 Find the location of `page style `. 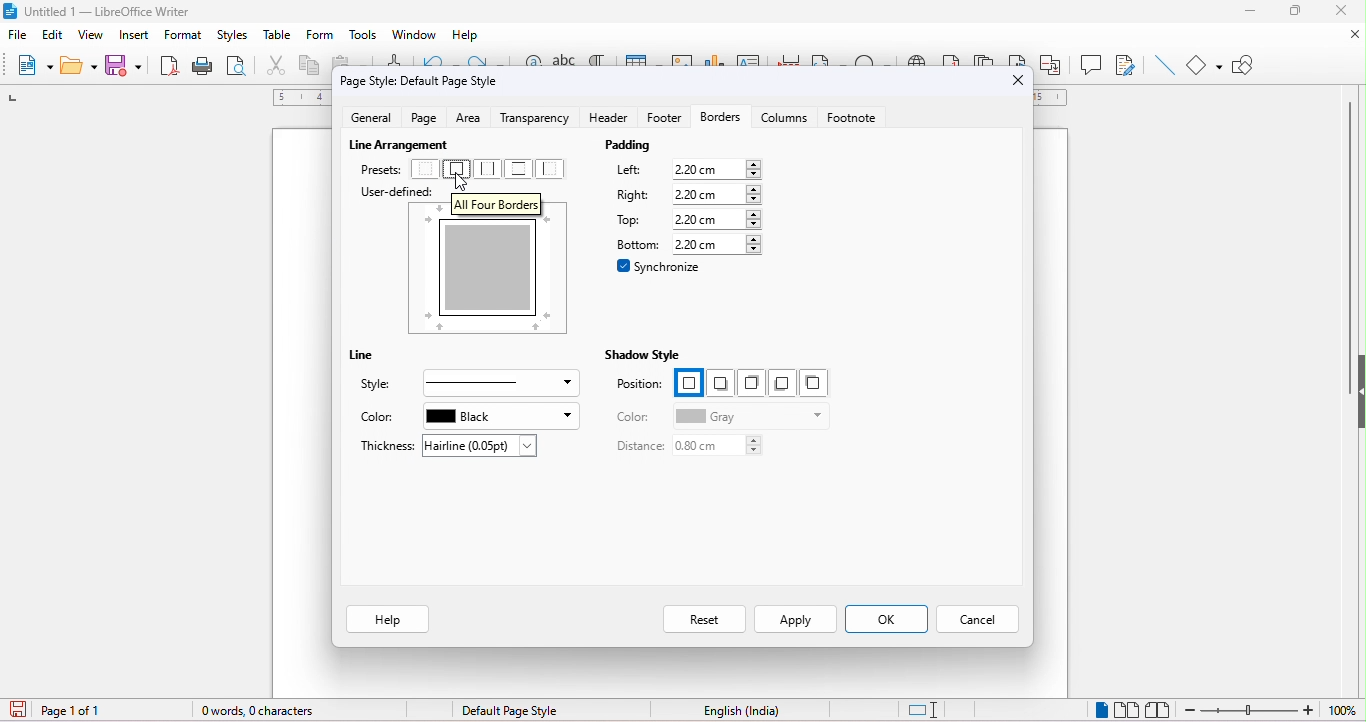

page style  is located at coordinates (508, 709).